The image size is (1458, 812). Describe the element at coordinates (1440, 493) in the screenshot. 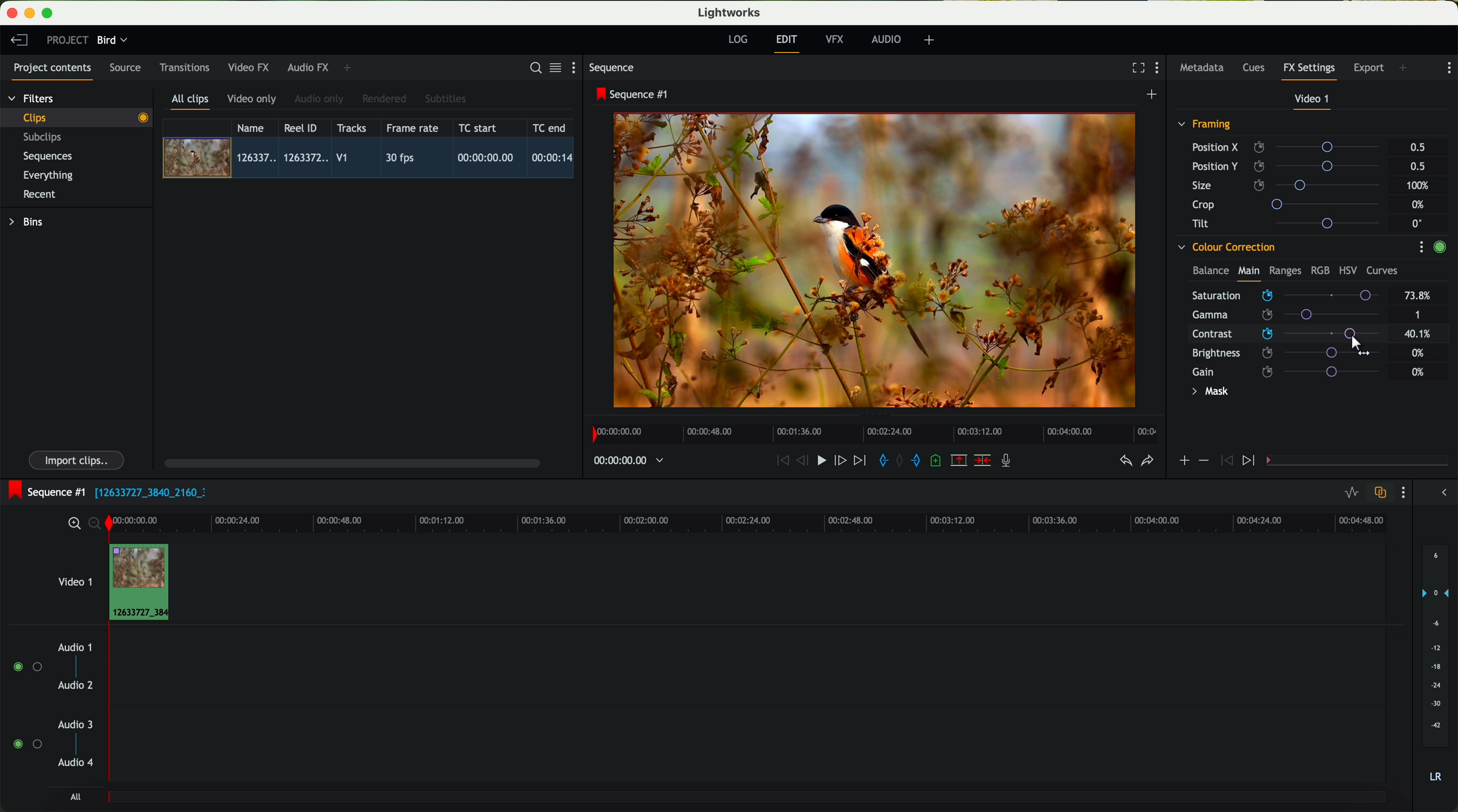

I see `show/hide the full audio mix` at that location.